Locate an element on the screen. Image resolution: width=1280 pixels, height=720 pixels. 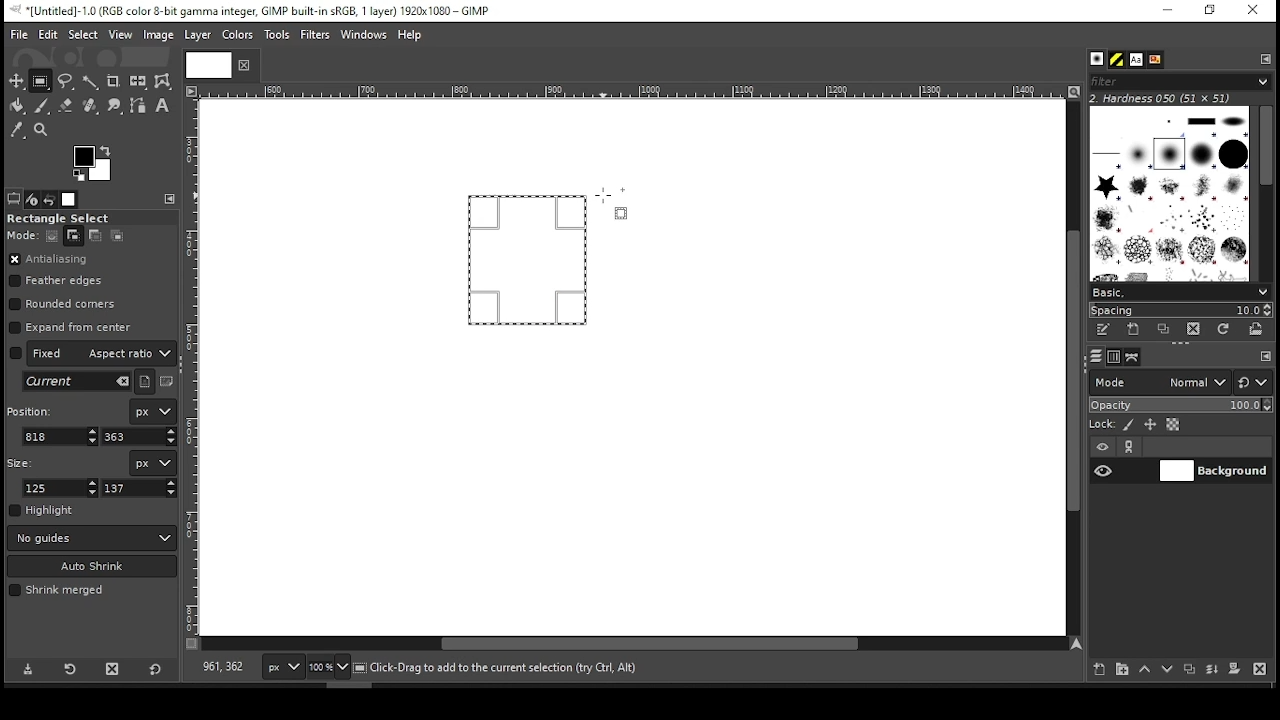
auto shrink is located at coordinates (93, 566).